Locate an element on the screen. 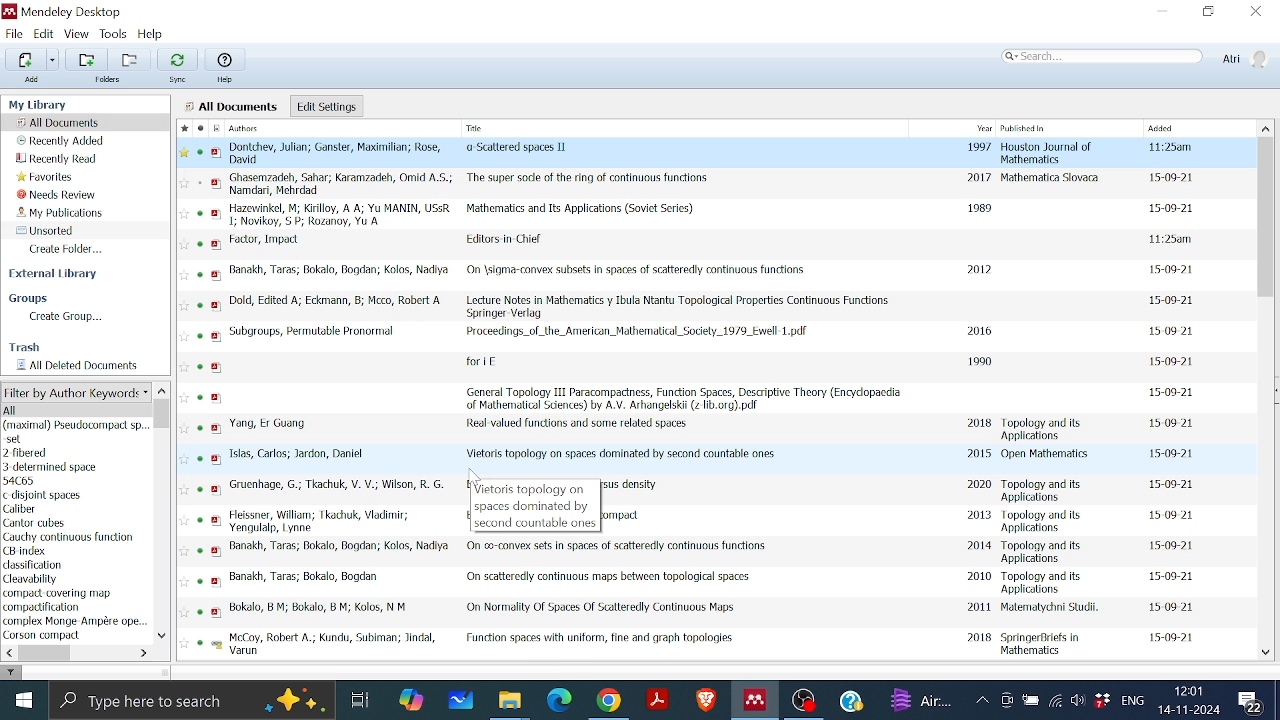 The image size is (1280, 720). Favourite is located at coordinates (186, 458).